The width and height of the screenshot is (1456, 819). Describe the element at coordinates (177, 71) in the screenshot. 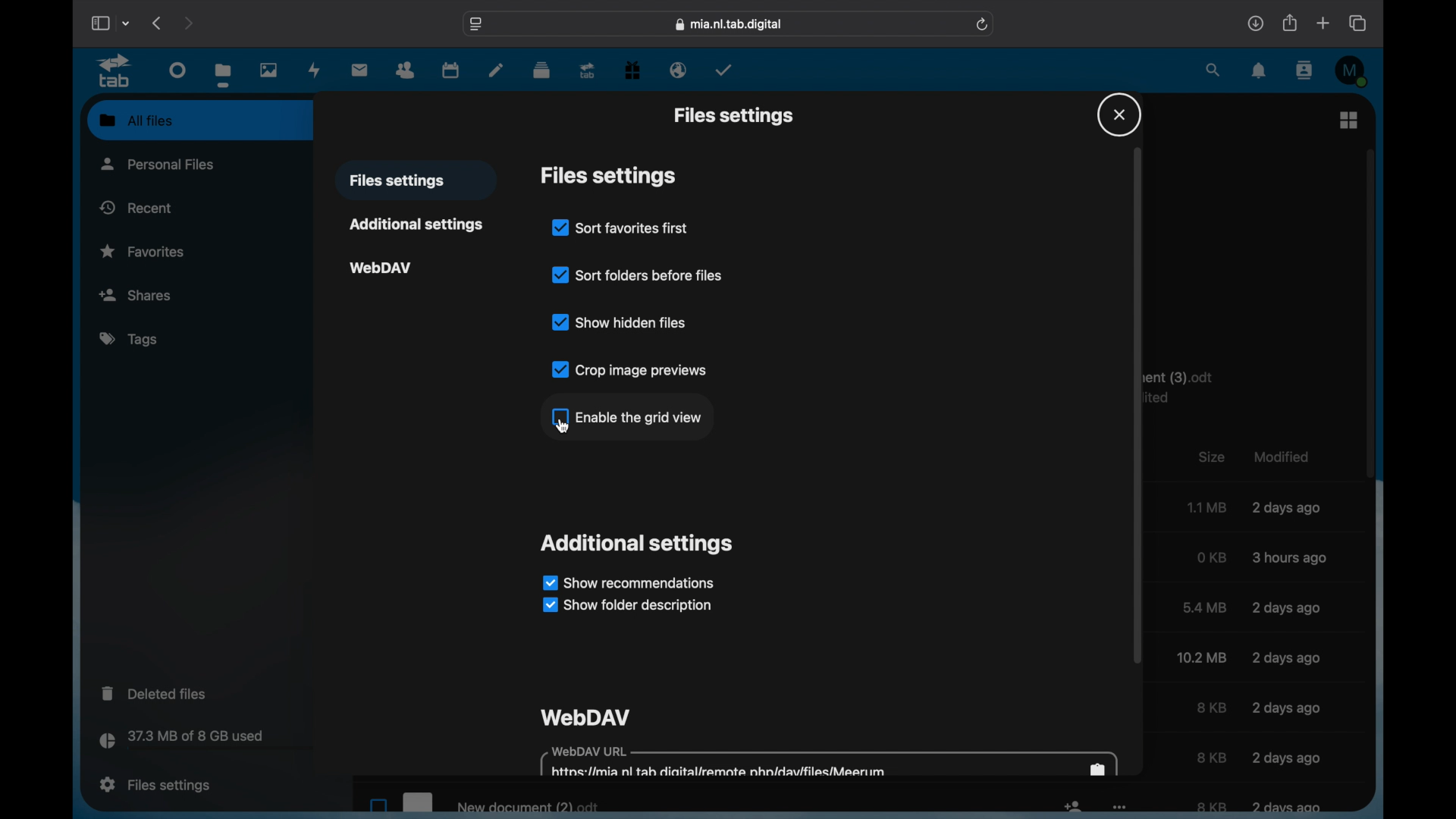

I see `dashboard` at that location.